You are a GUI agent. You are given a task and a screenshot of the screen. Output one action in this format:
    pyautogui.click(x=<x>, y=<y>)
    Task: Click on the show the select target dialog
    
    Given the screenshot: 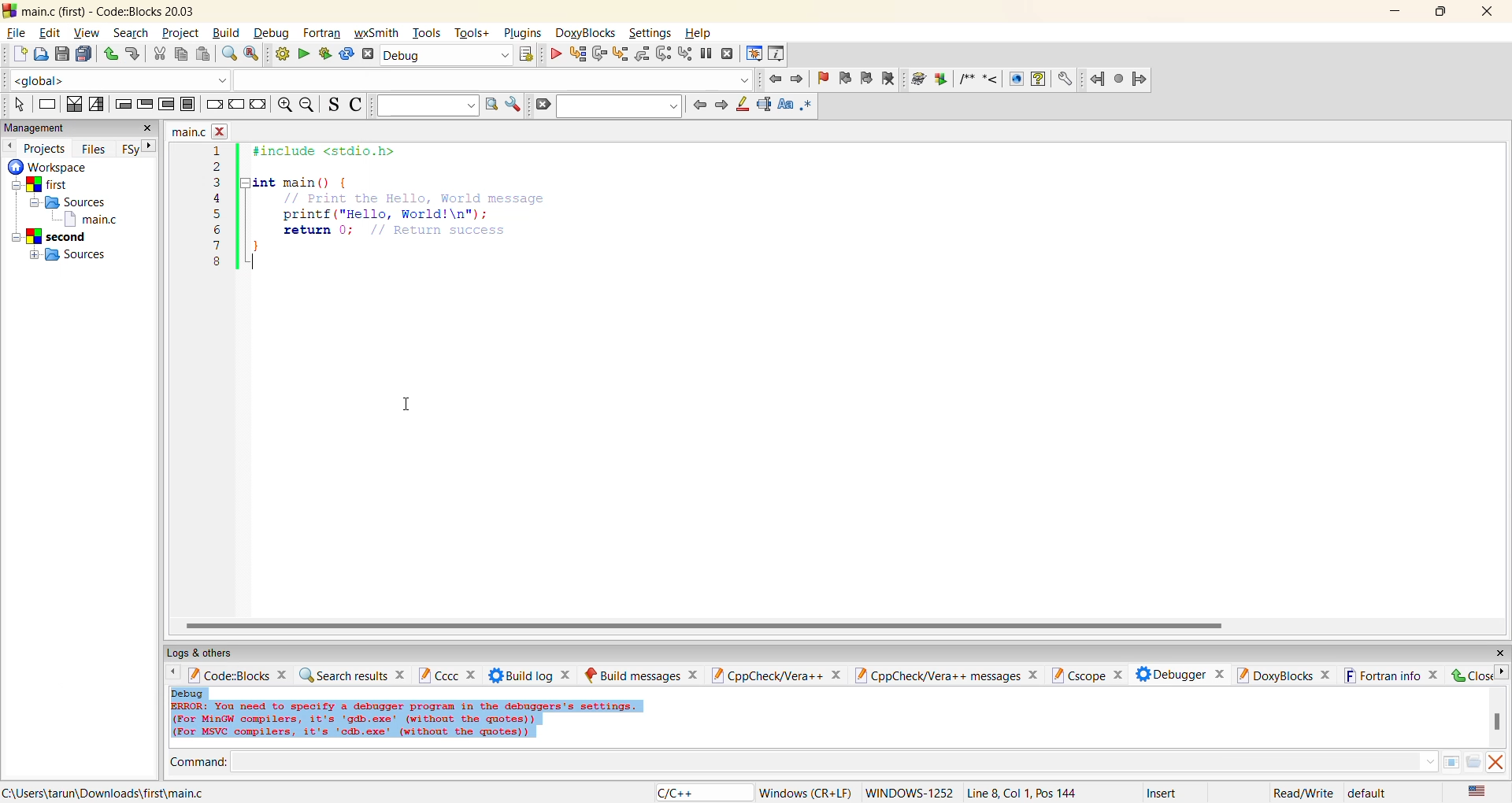 What is the action you would take?
    pyautogui.click(x=526, y=57)
    